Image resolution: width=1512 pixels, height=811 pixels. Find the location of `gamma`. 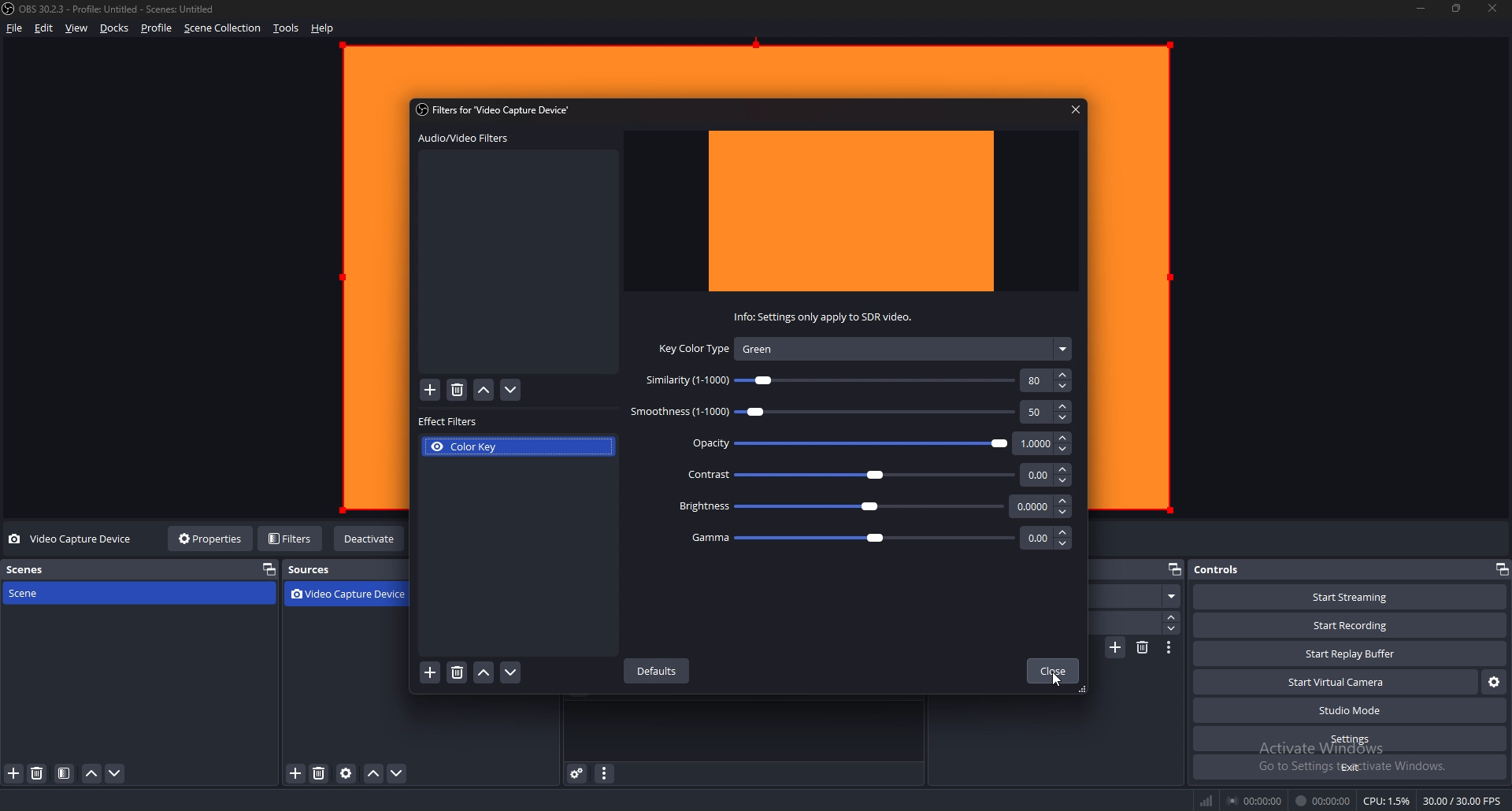

gamma is located at coordinates (877, 536).